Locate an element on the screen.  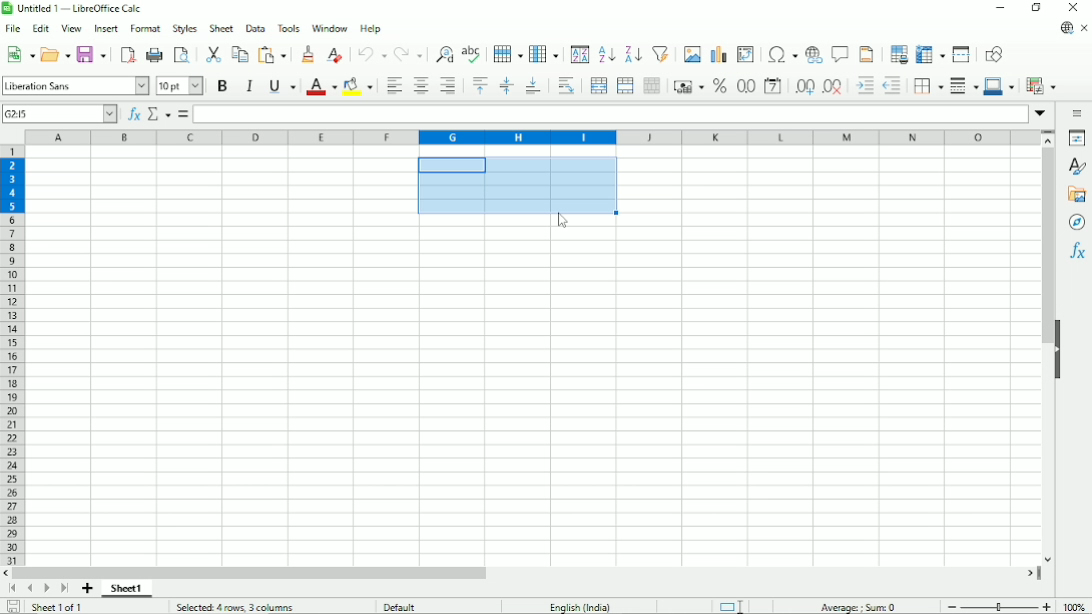
Sheet is located at coordinates (223, 27).